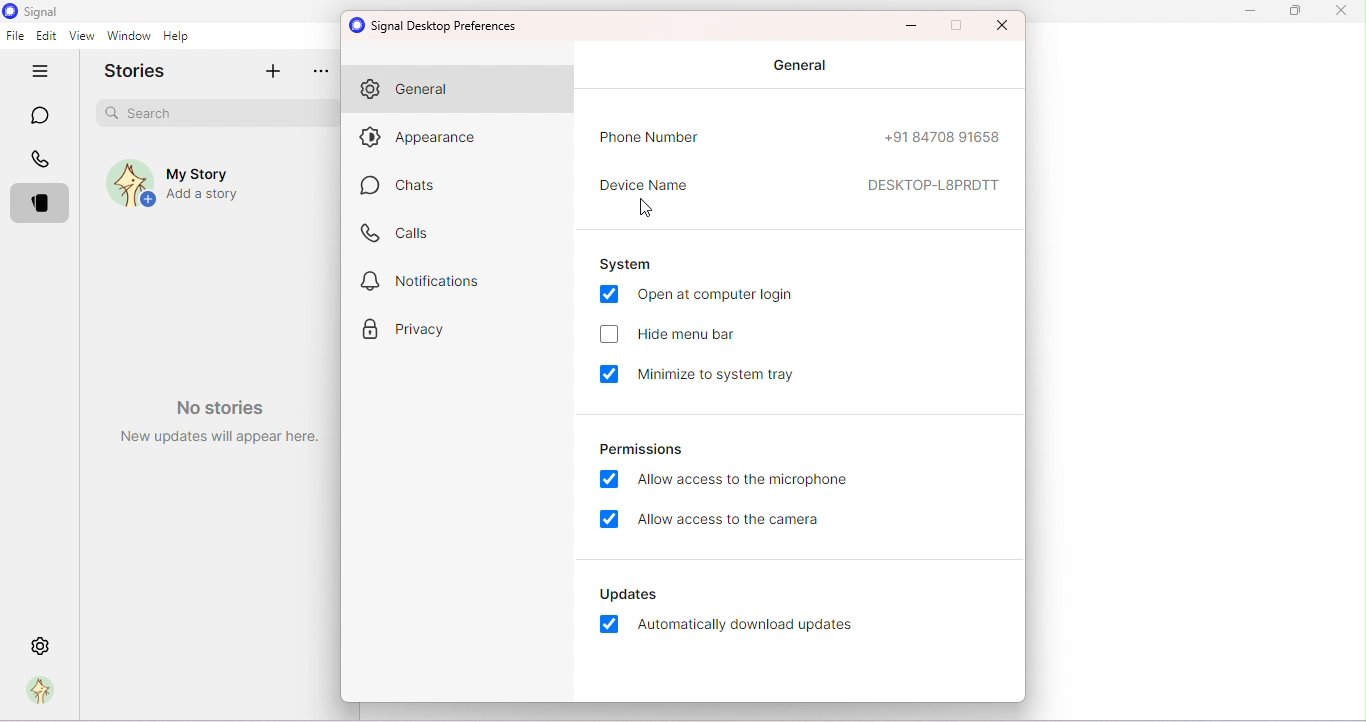 This screenshot has width=1366, height=722. I want to click on Window, so click(129, 37).